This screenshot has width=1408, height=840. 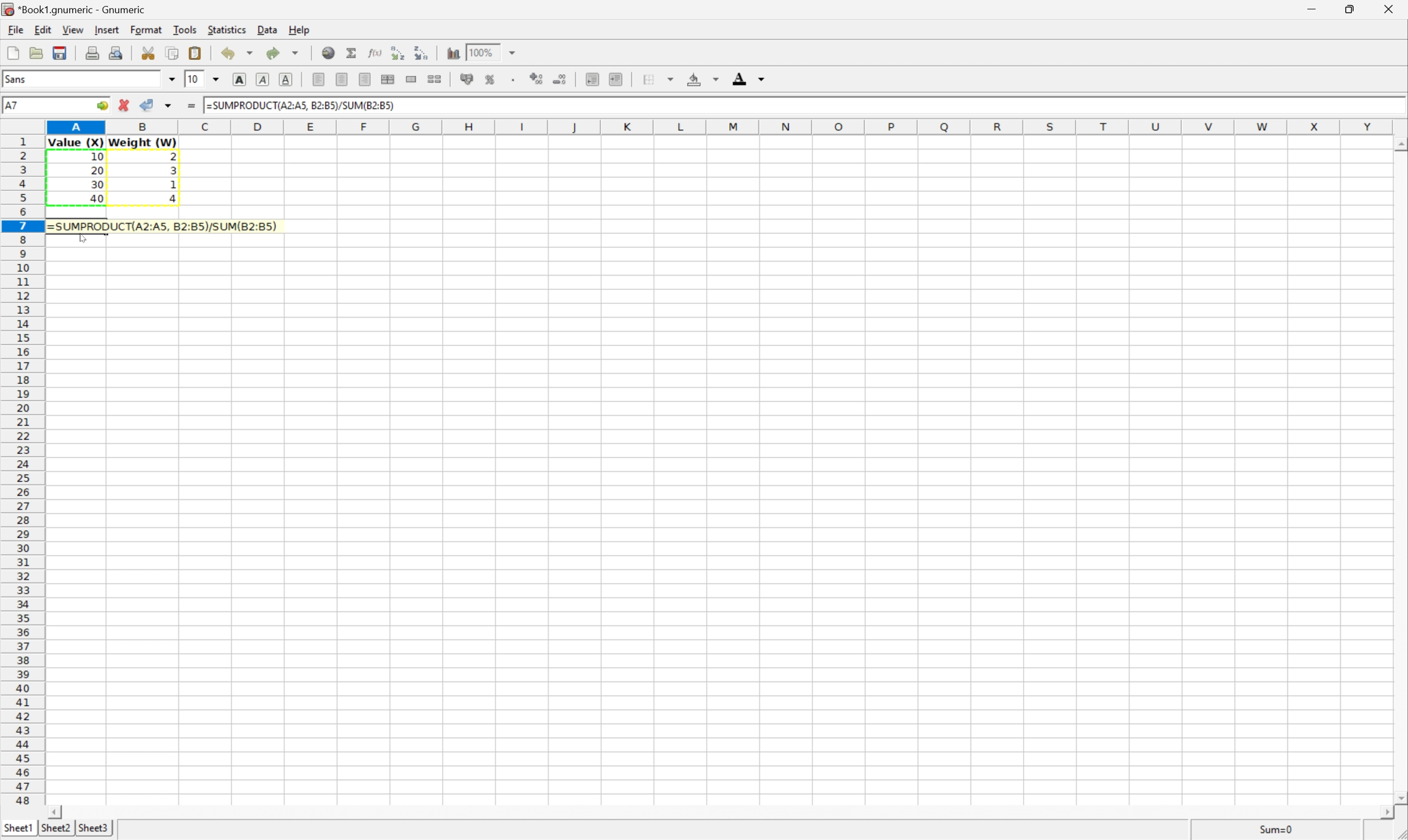 What do you see at coordinates (512, 80) in the screenshot?
I see `Set the format of the selected cells to include a thousands separator` at bounding box center [512, 80].